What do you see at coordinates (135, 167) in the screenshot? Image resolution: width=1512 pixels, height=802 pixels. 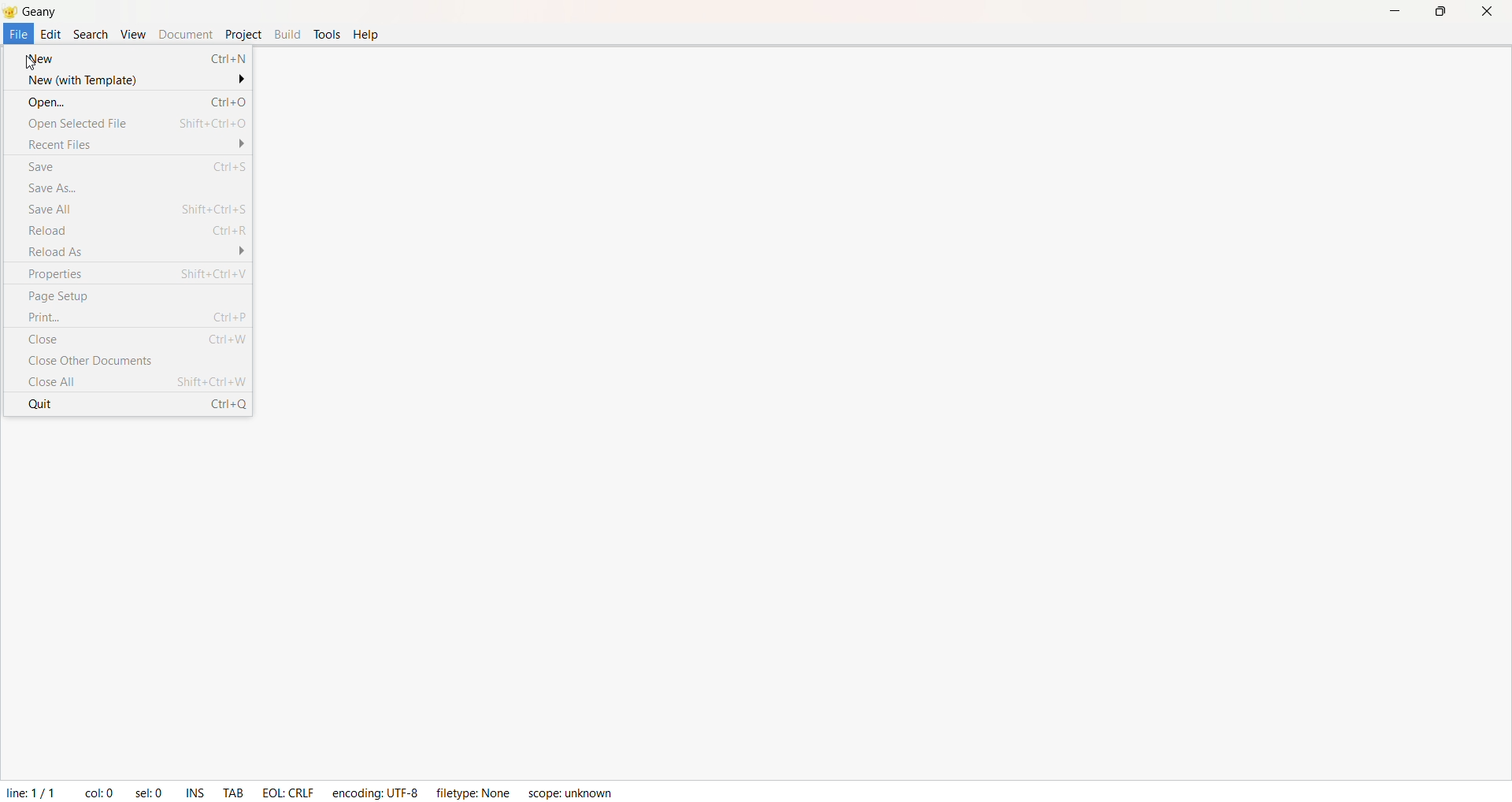 I see `Save` at bounding box center [135, 167].